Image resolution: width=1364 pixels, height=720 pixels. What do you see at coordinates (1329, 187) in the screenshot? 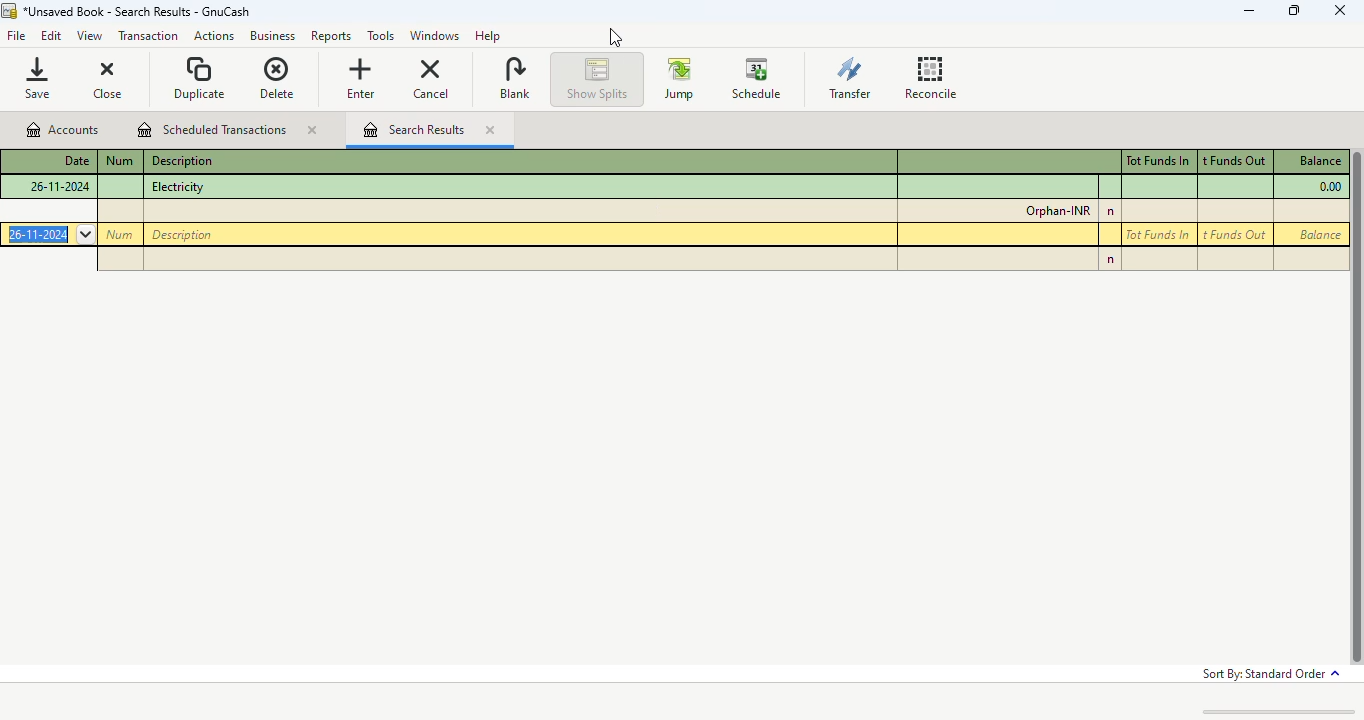
I see `0.00` at bounding box center [1329, 187].